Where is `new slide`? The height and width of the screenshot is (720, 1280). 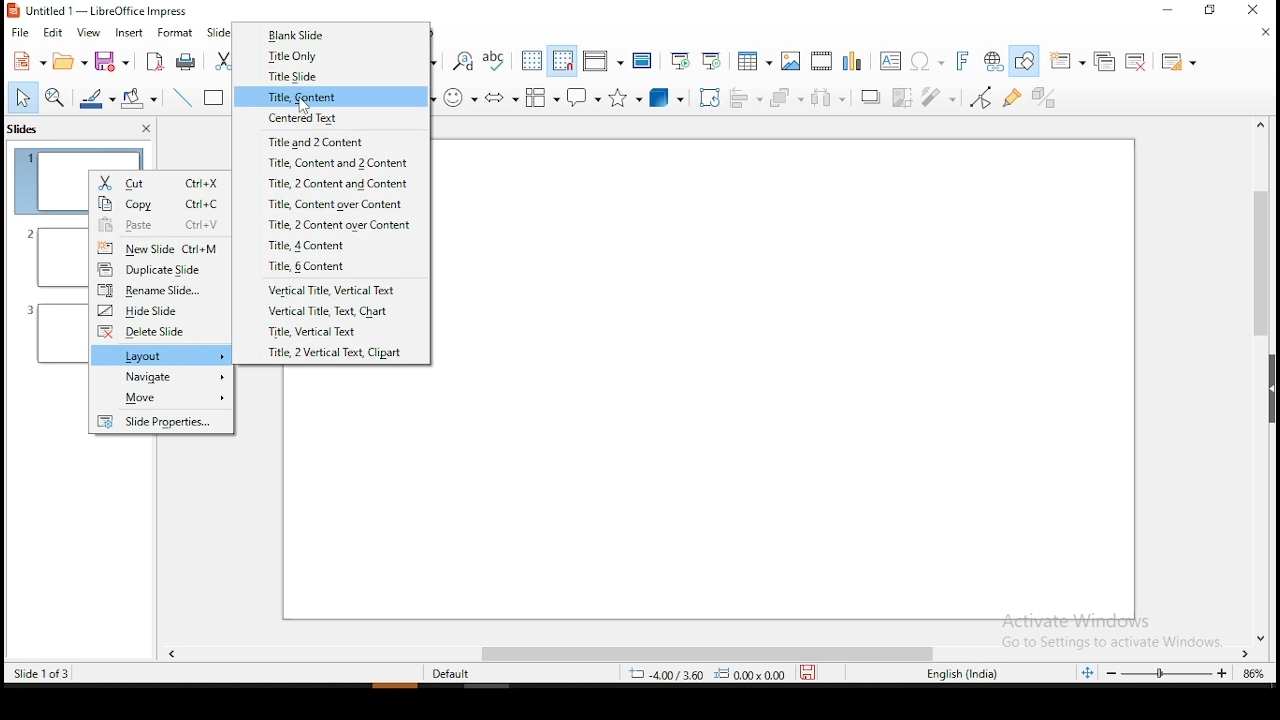 new slide is located at coordinates (1065, 60).